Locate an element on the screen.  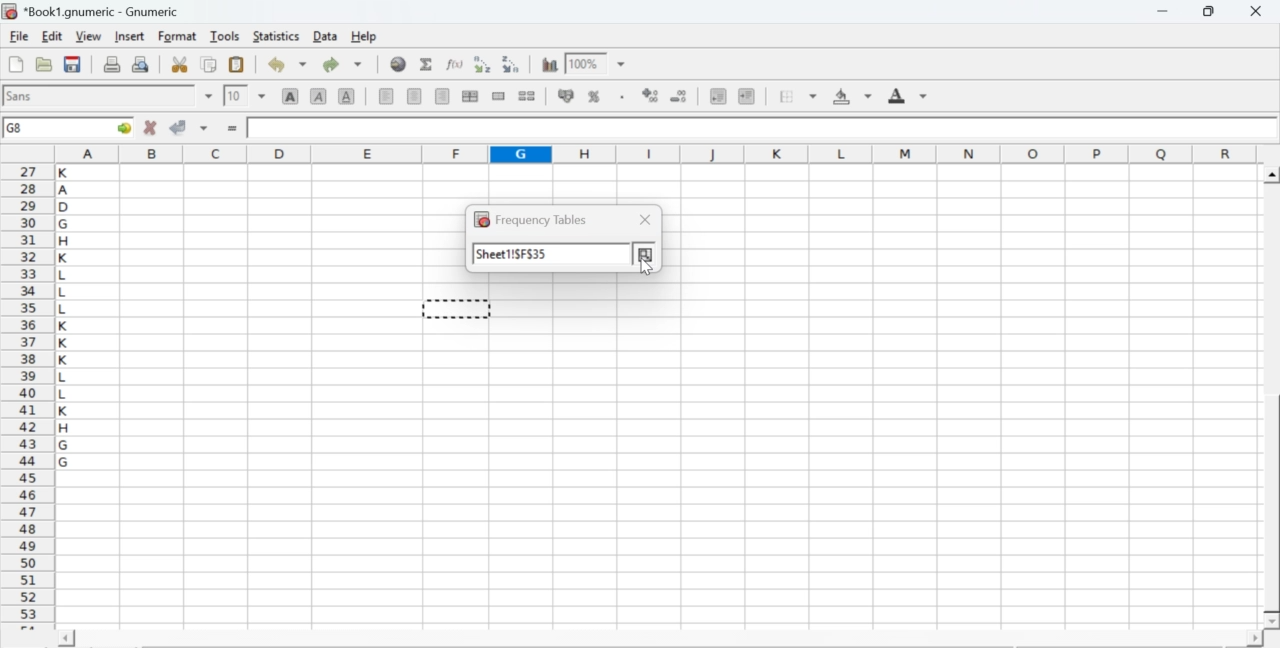
help is located at coordinates (366, 37).